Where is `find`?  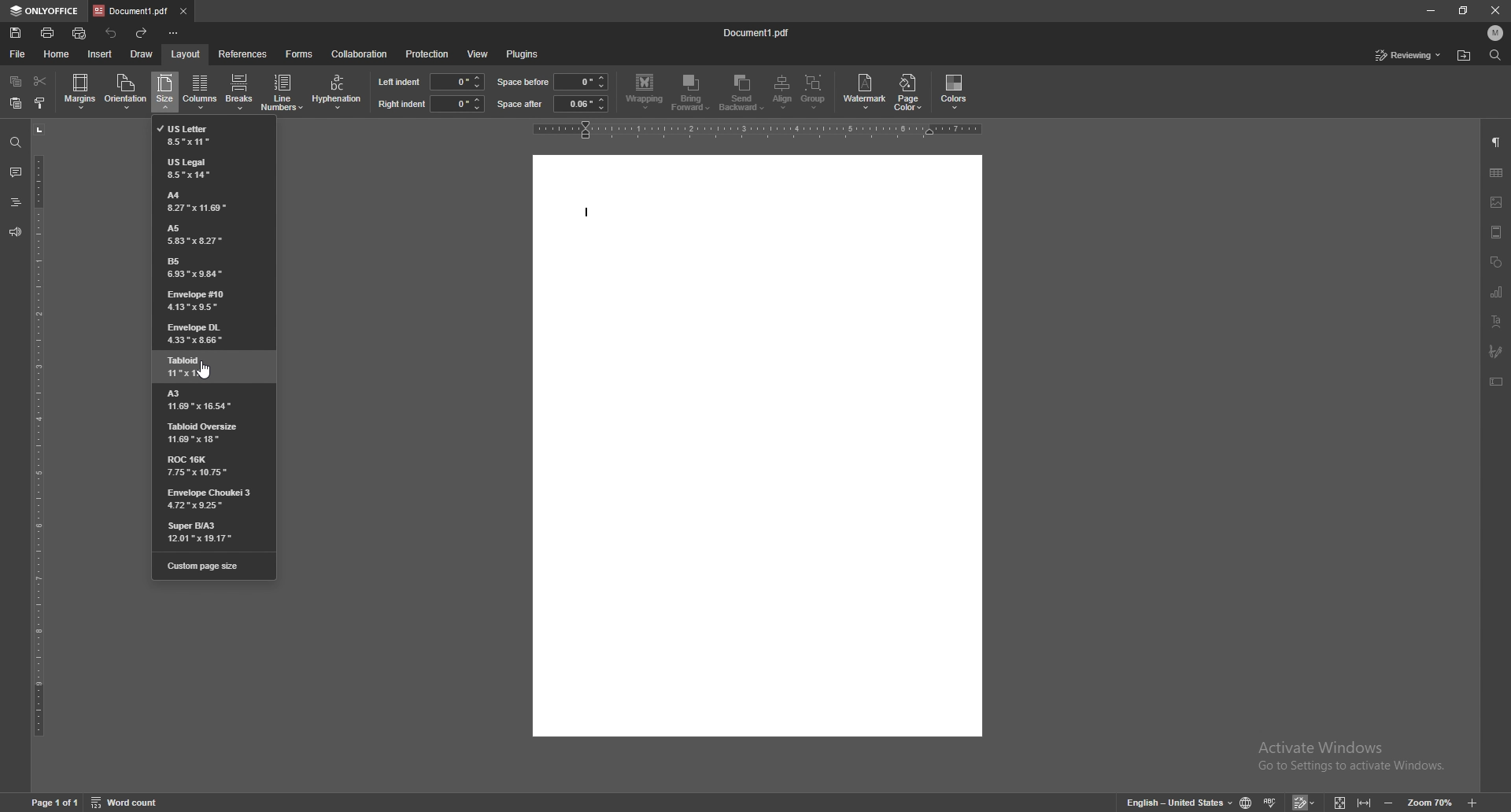 find is located at coordinates (1496, 55).